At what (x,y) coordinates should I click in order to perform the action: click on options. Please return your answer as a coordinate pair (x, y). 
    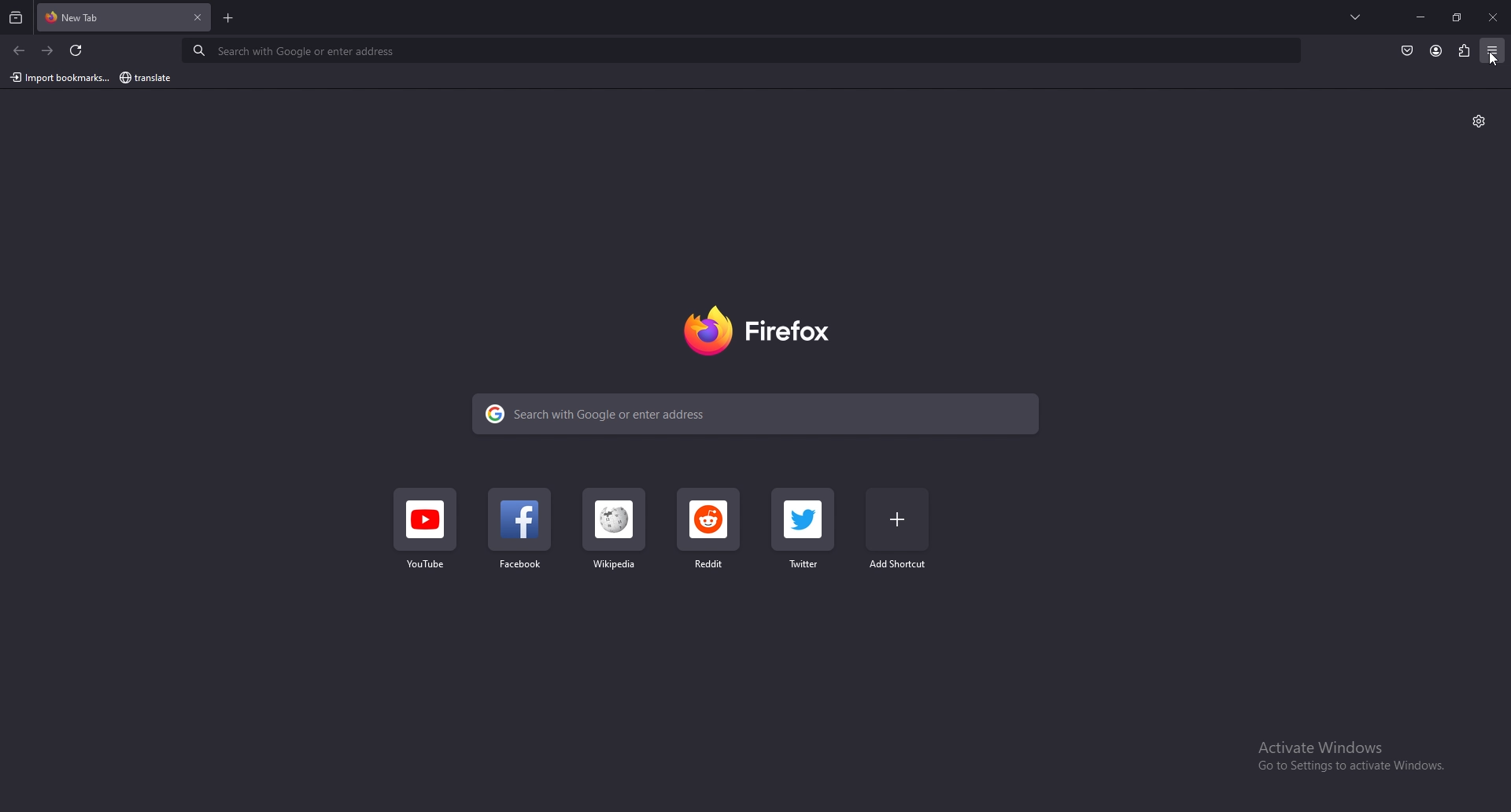
    Looking at the image, I should click on (1496, 51).